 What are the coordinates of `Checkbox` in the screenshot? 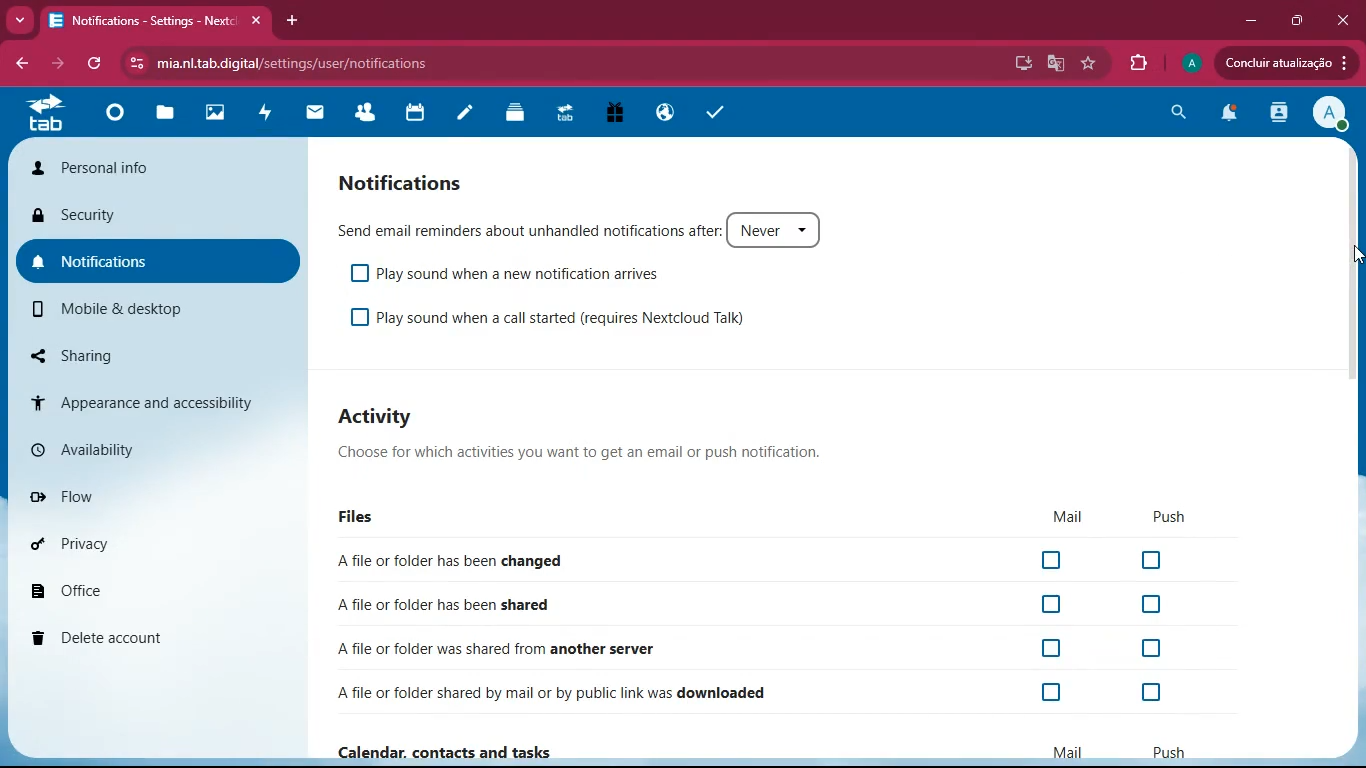 It's located at (1047, 692).